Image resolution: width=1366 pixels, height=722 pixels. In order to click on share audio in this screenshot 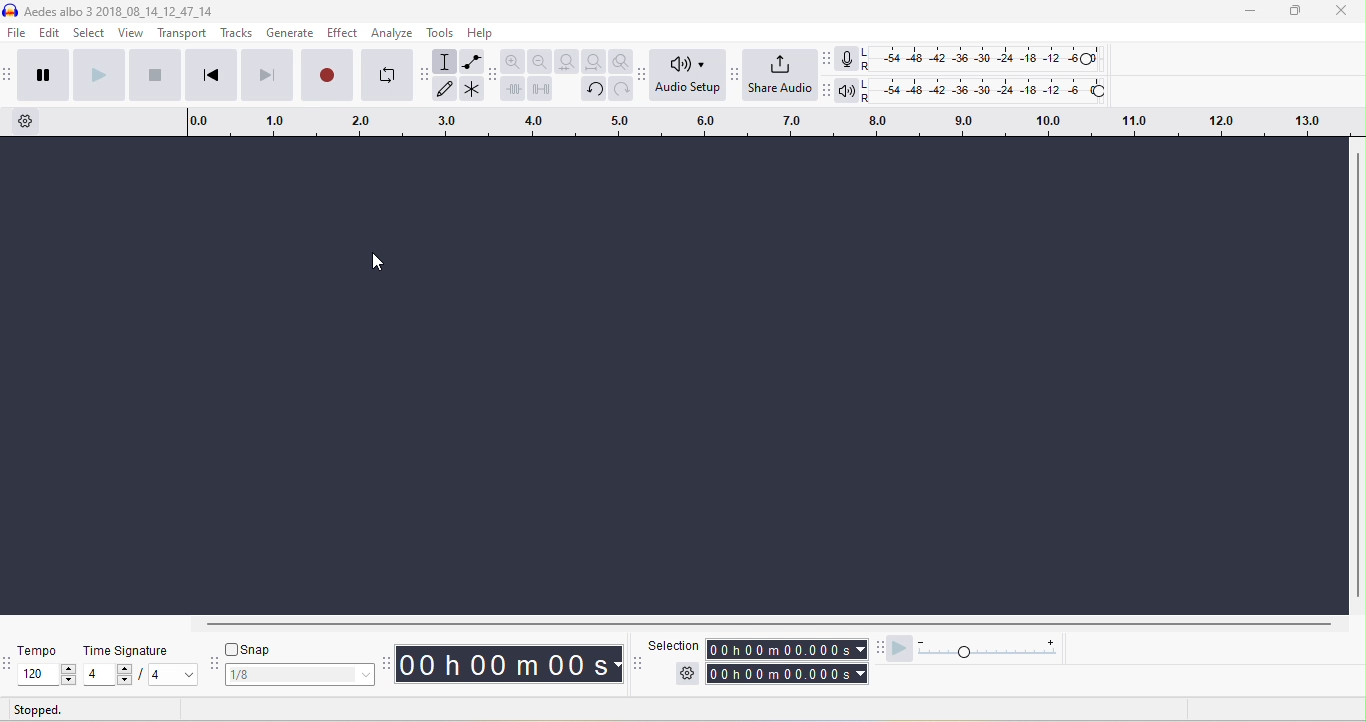, I will do `click(780, 77)`.